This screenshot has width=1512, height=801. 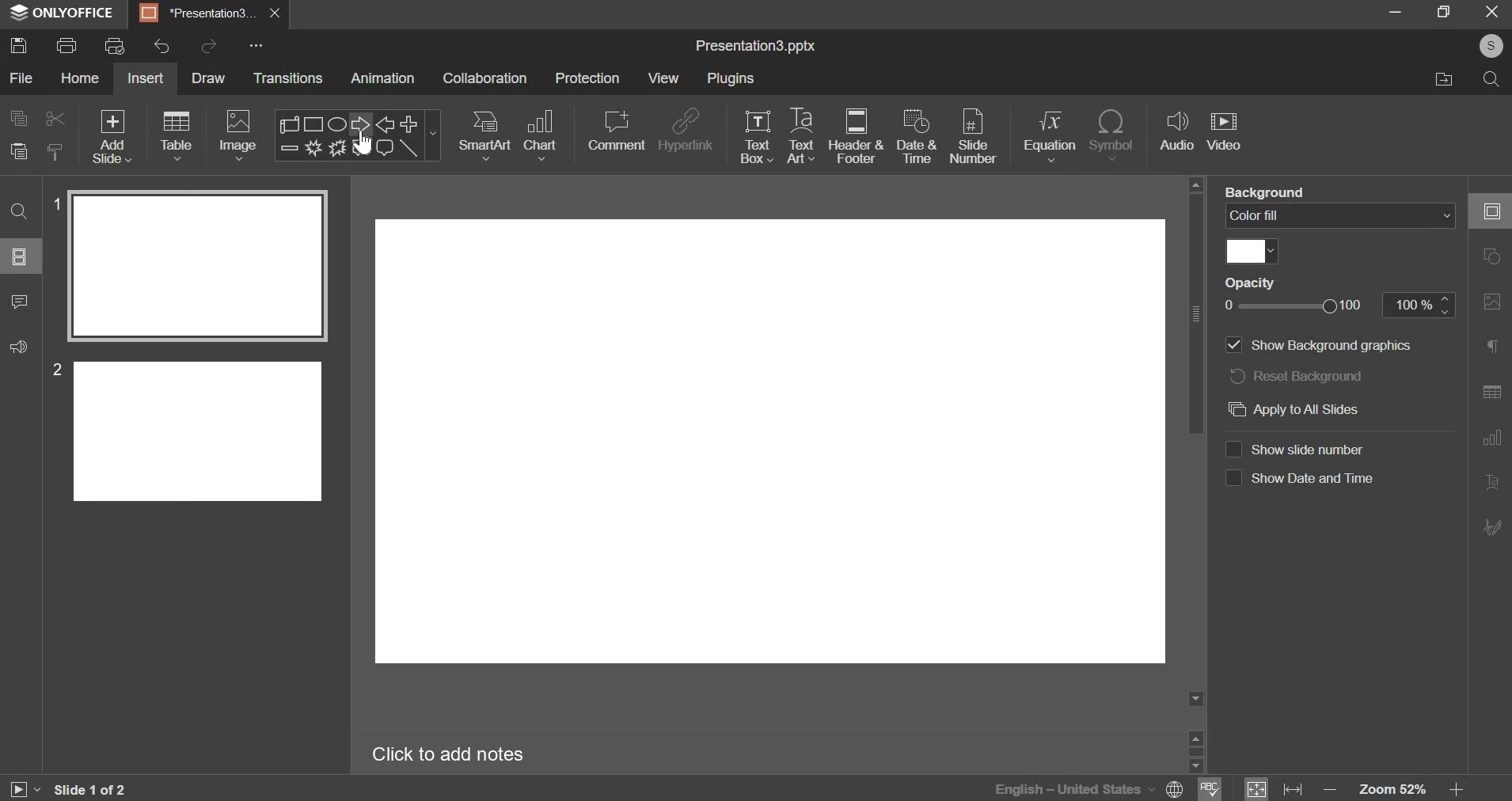 I want to click on rounded rectangular callout, so click(x=384, y=150).